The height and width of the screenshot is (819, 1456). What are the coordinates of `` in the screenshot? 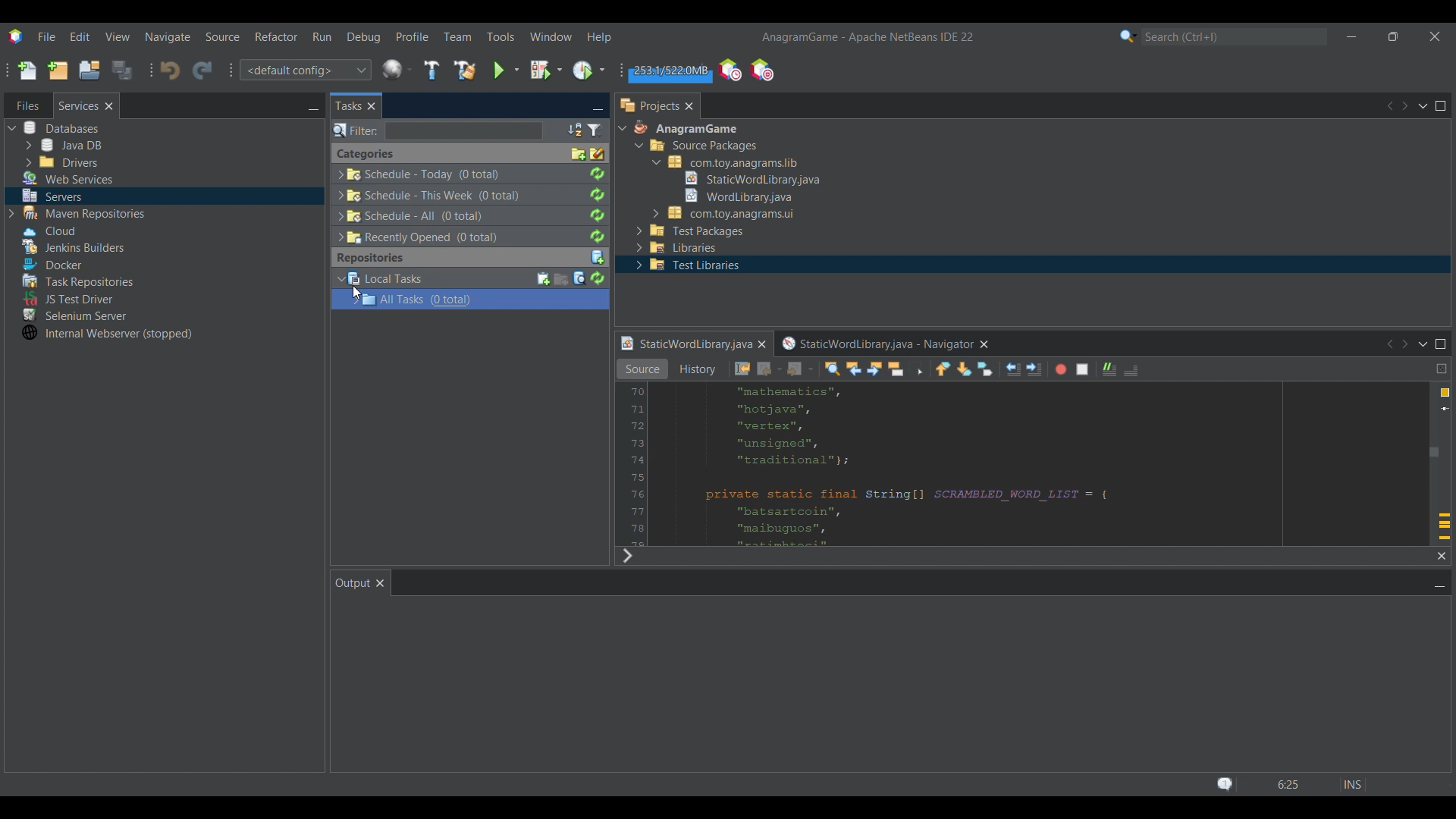 It's located at (1060, 370).